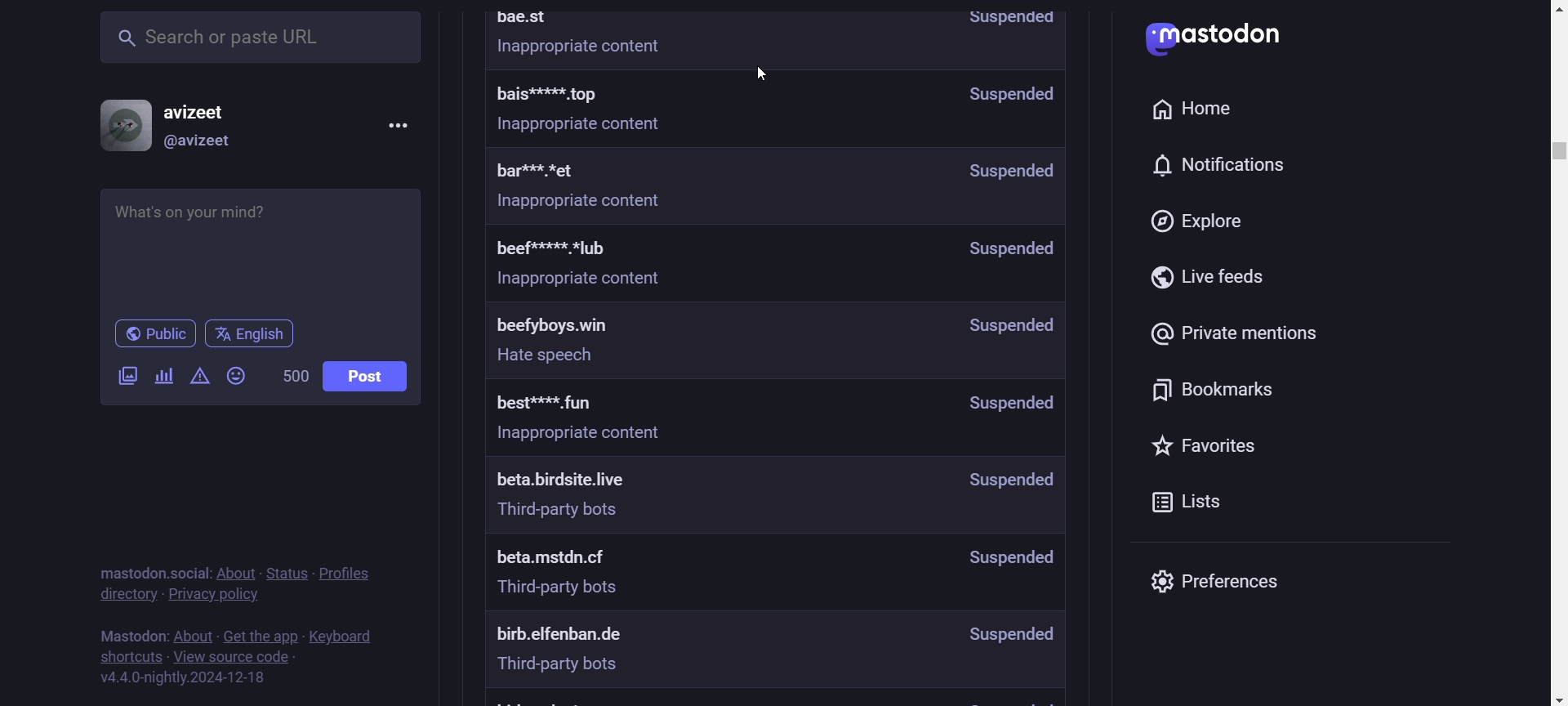  I want to click on cursor, so click(760, 70).